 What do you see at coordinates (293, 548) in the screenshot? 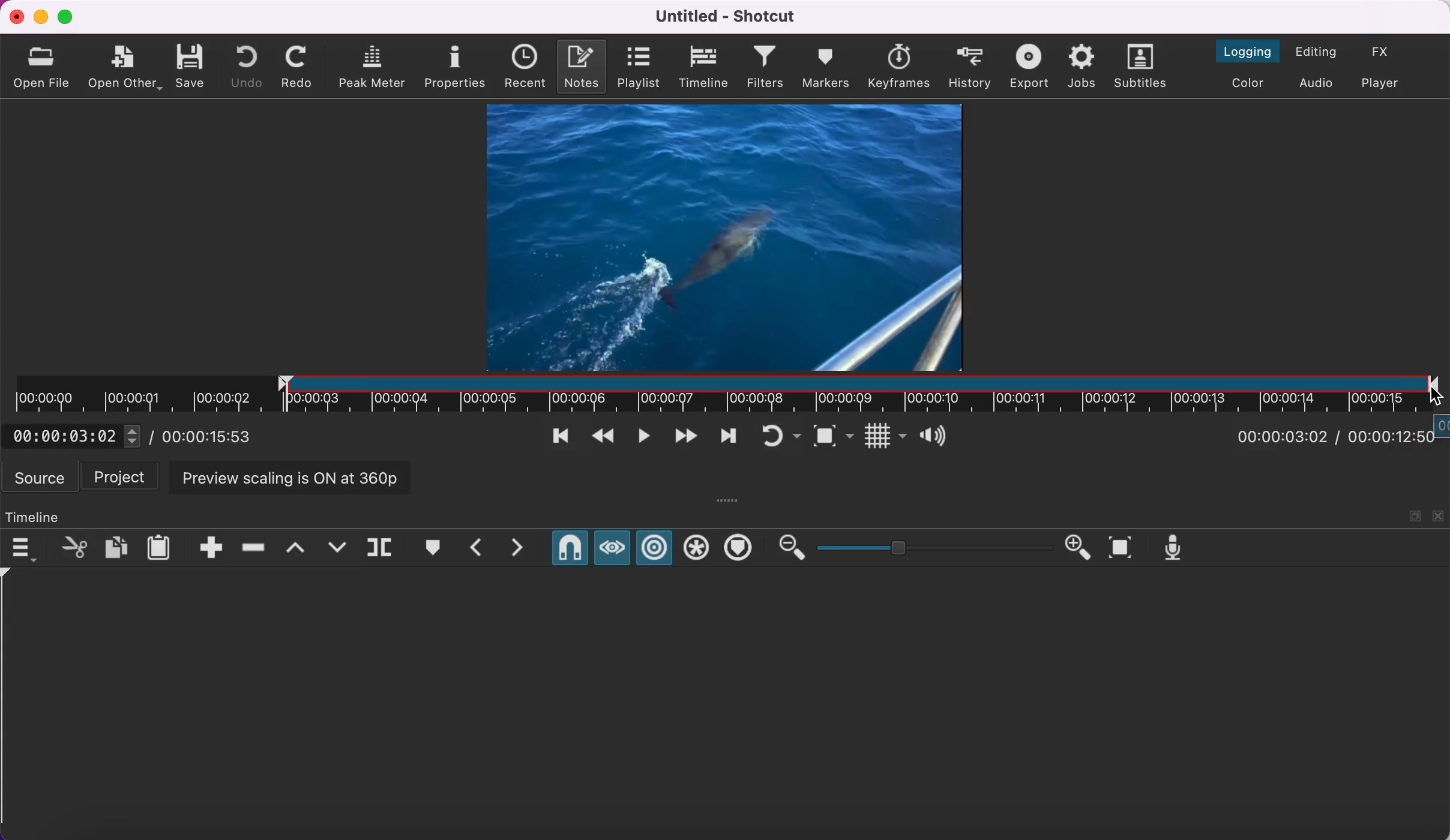
I see `lift` at bounding box center [293, 548].